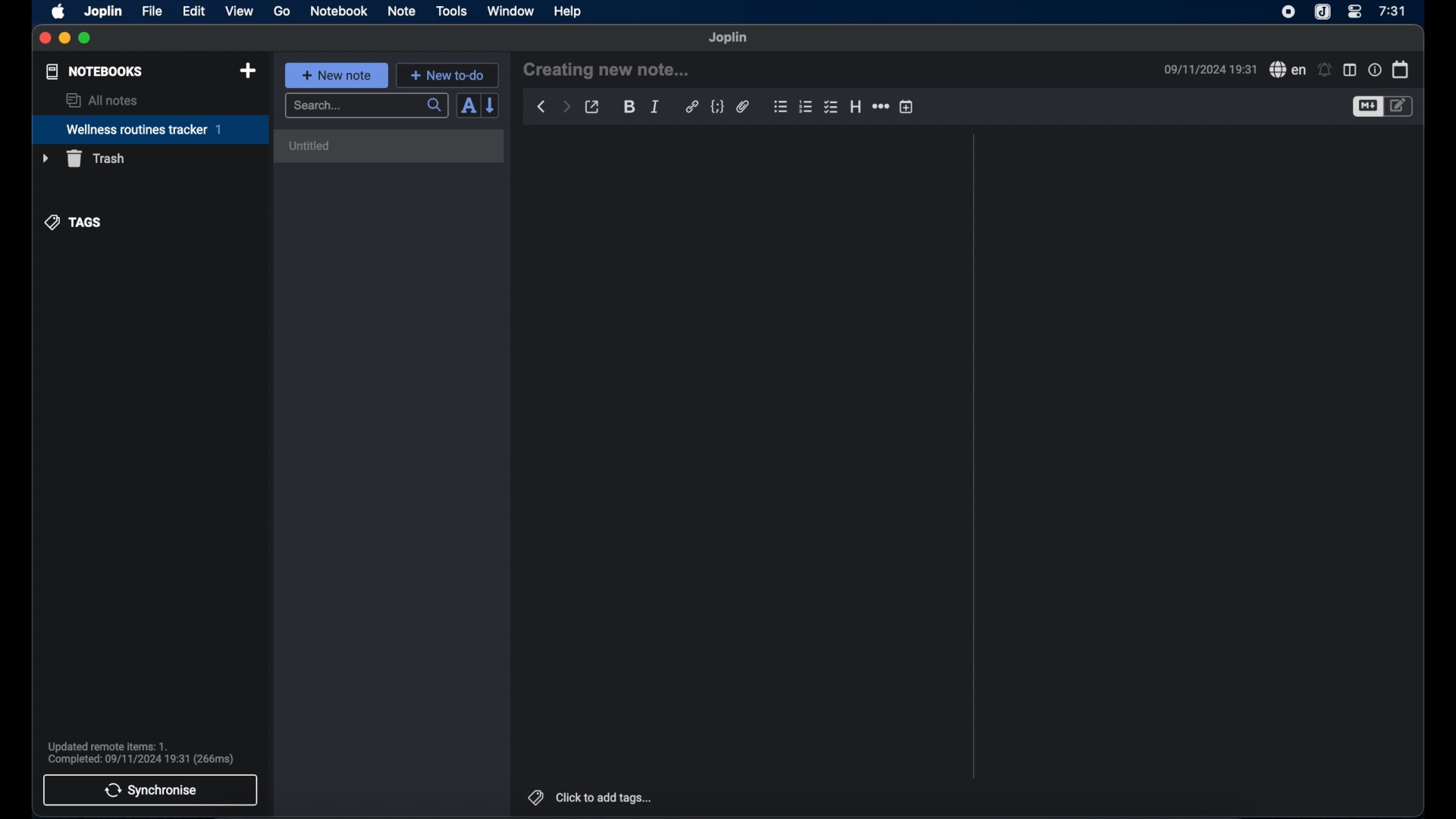 The width and height of the screenshot is (1456, 819). Describe the element at coordinates (193, 11) in the screenshot. I see `edit` at that location.